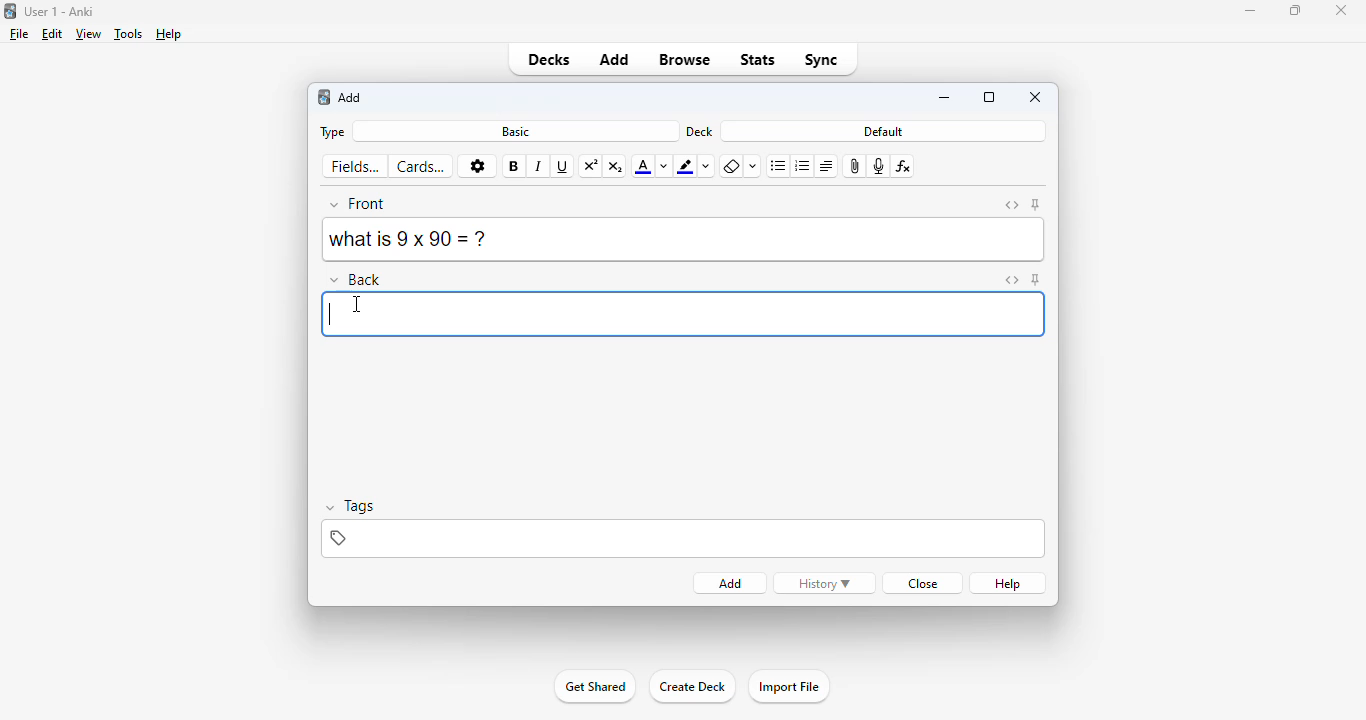  I want to click on browse, so click(686, 59).